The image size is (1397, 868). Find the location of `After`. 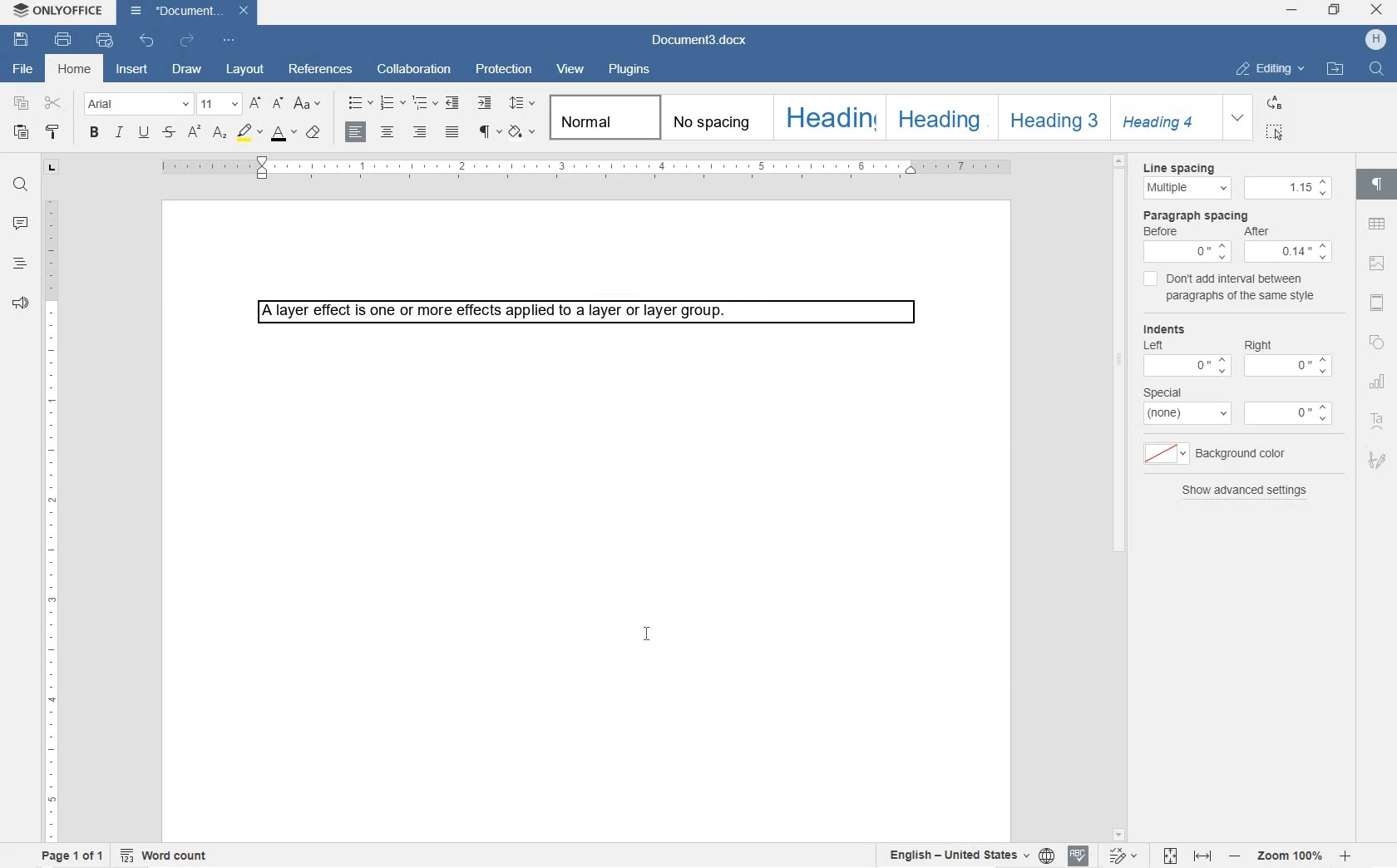

After is located at coordinates (1289, 244).